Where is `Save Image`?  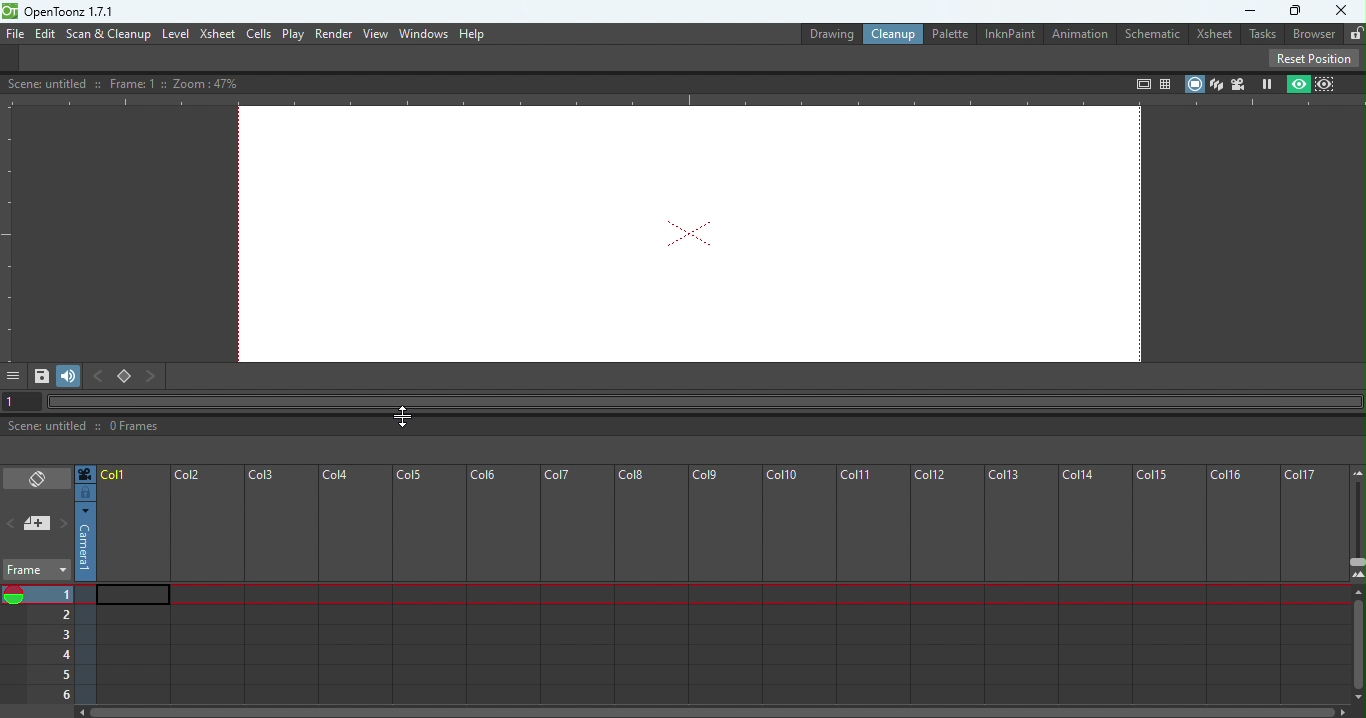
Save Image is located at coordinates (40, 374).